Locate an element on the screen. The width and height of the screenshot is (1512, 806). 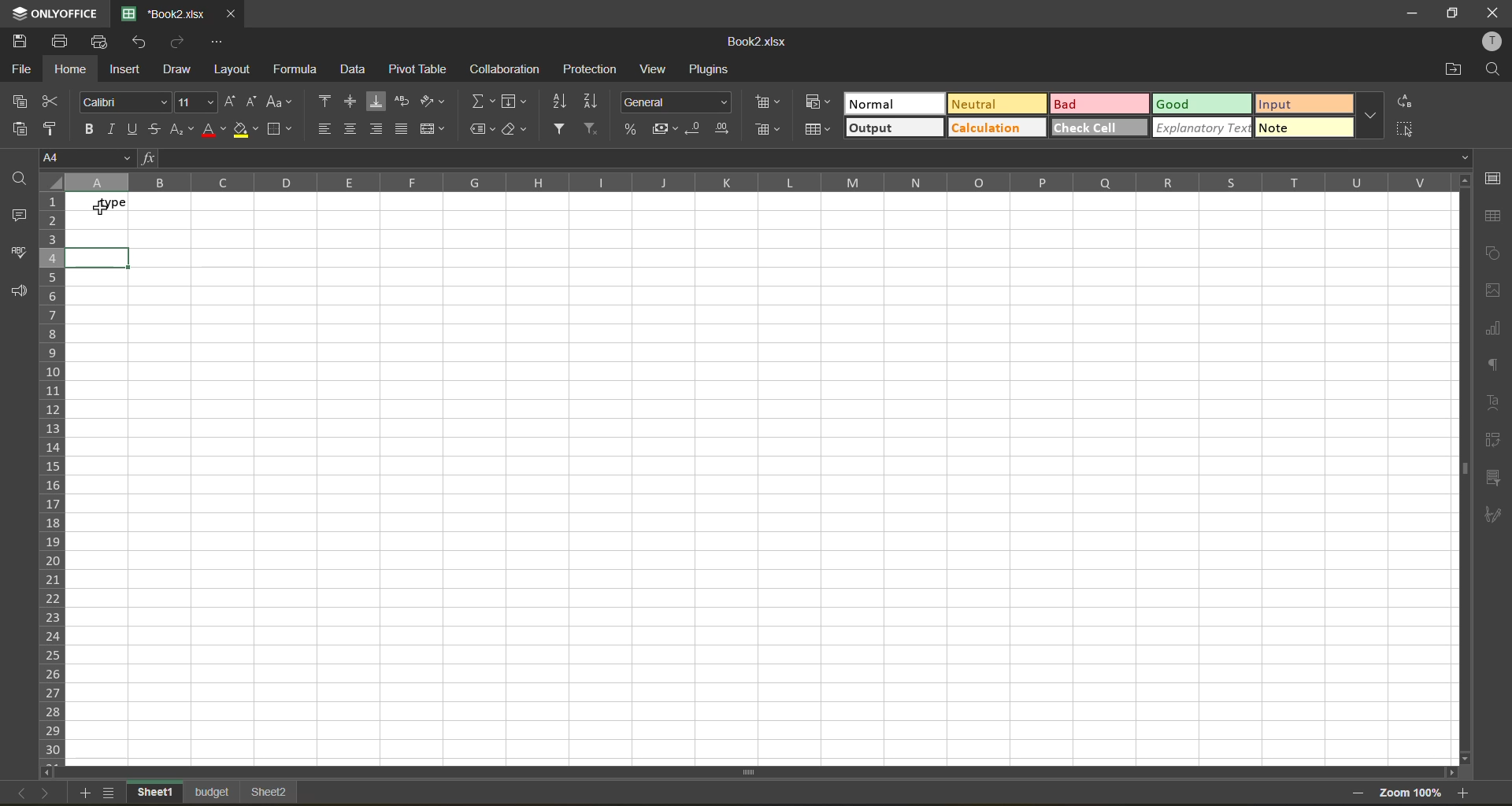
select all is located at coordinates (1408, 132).